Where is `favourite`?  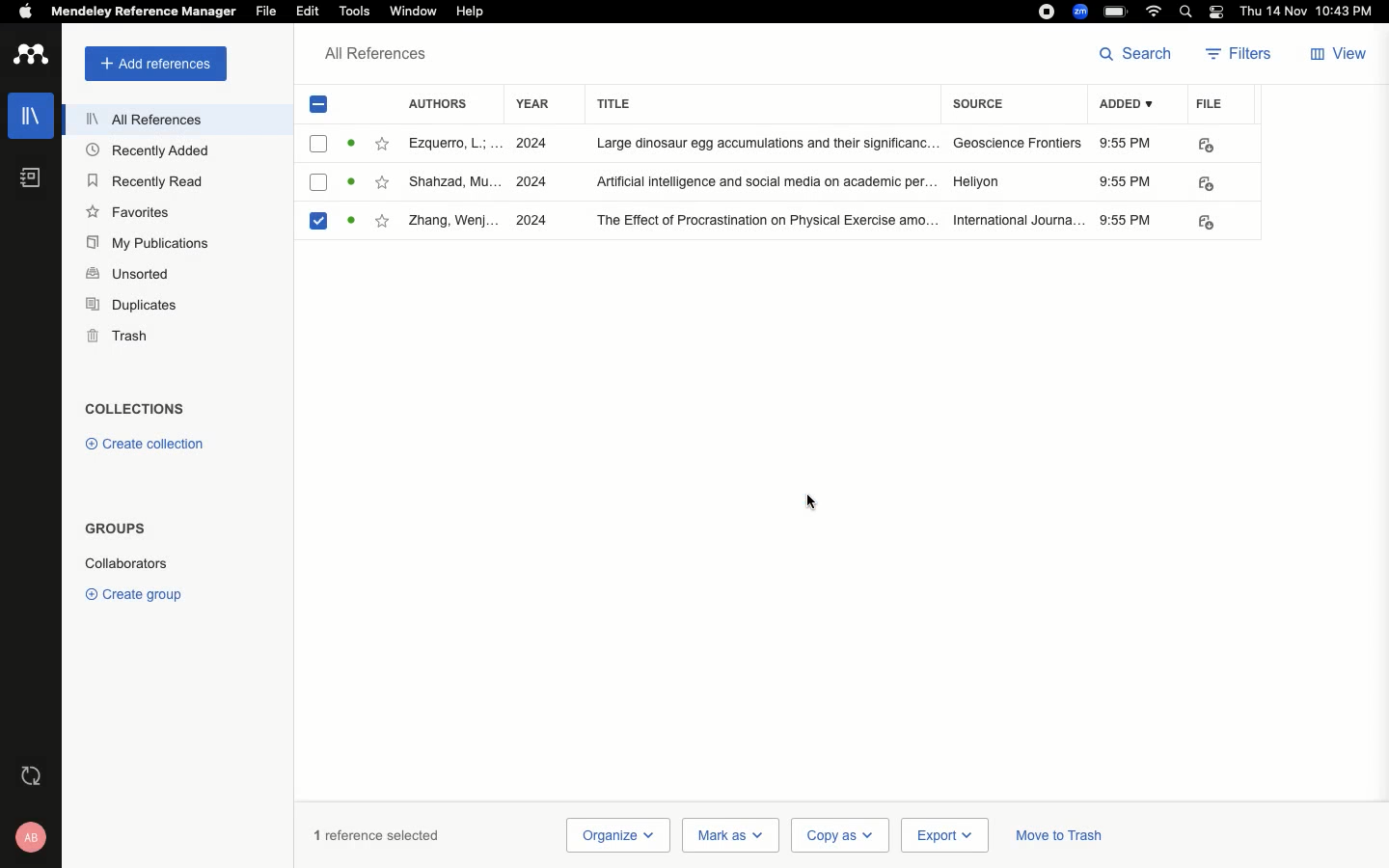 favourite is located at coordinates (383, 220).